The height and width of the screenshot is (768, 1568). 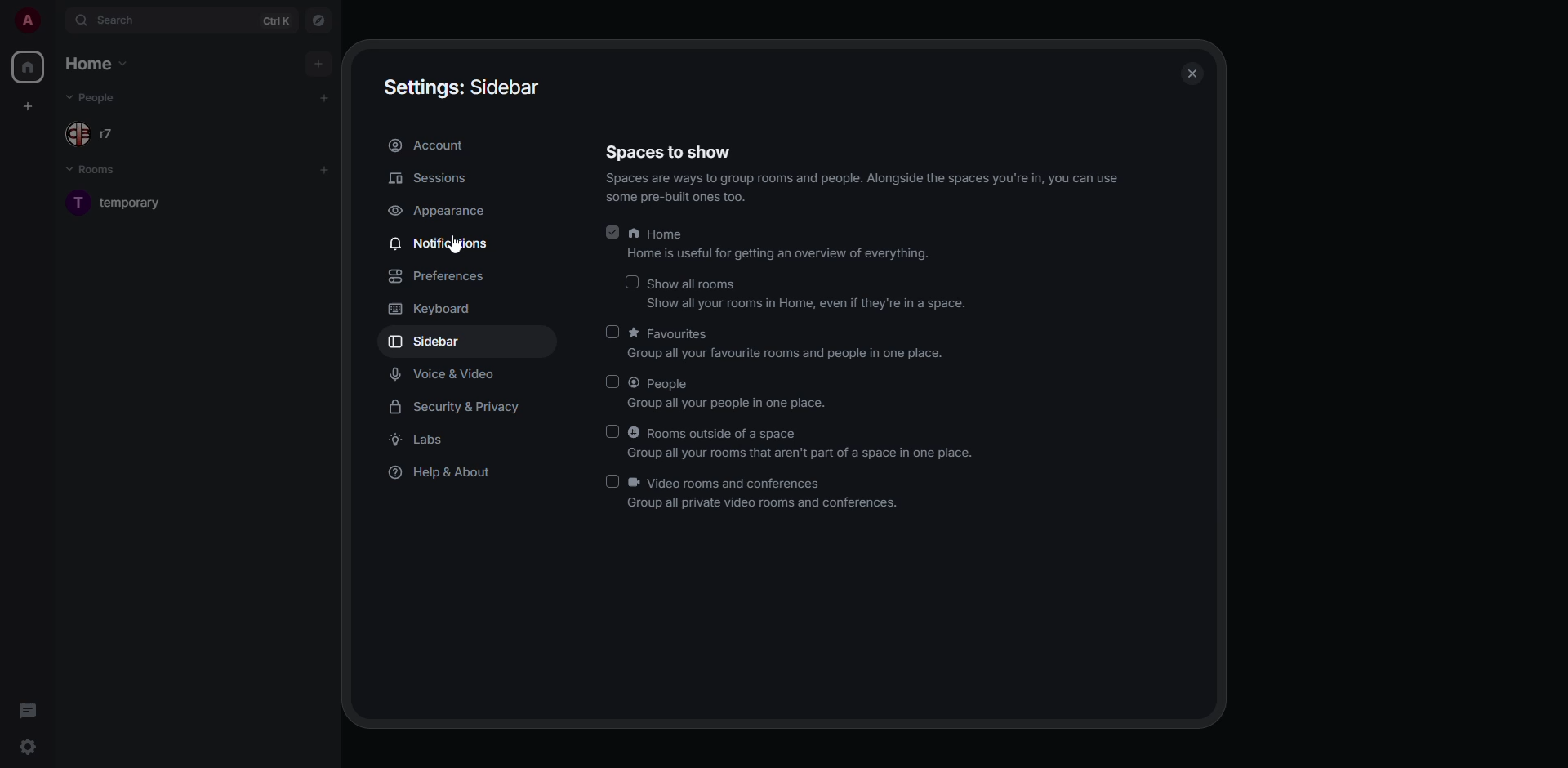 What do you see at coordinates (95, 98) in the screenshot?
I see `people` at bounding box center [95, 98].